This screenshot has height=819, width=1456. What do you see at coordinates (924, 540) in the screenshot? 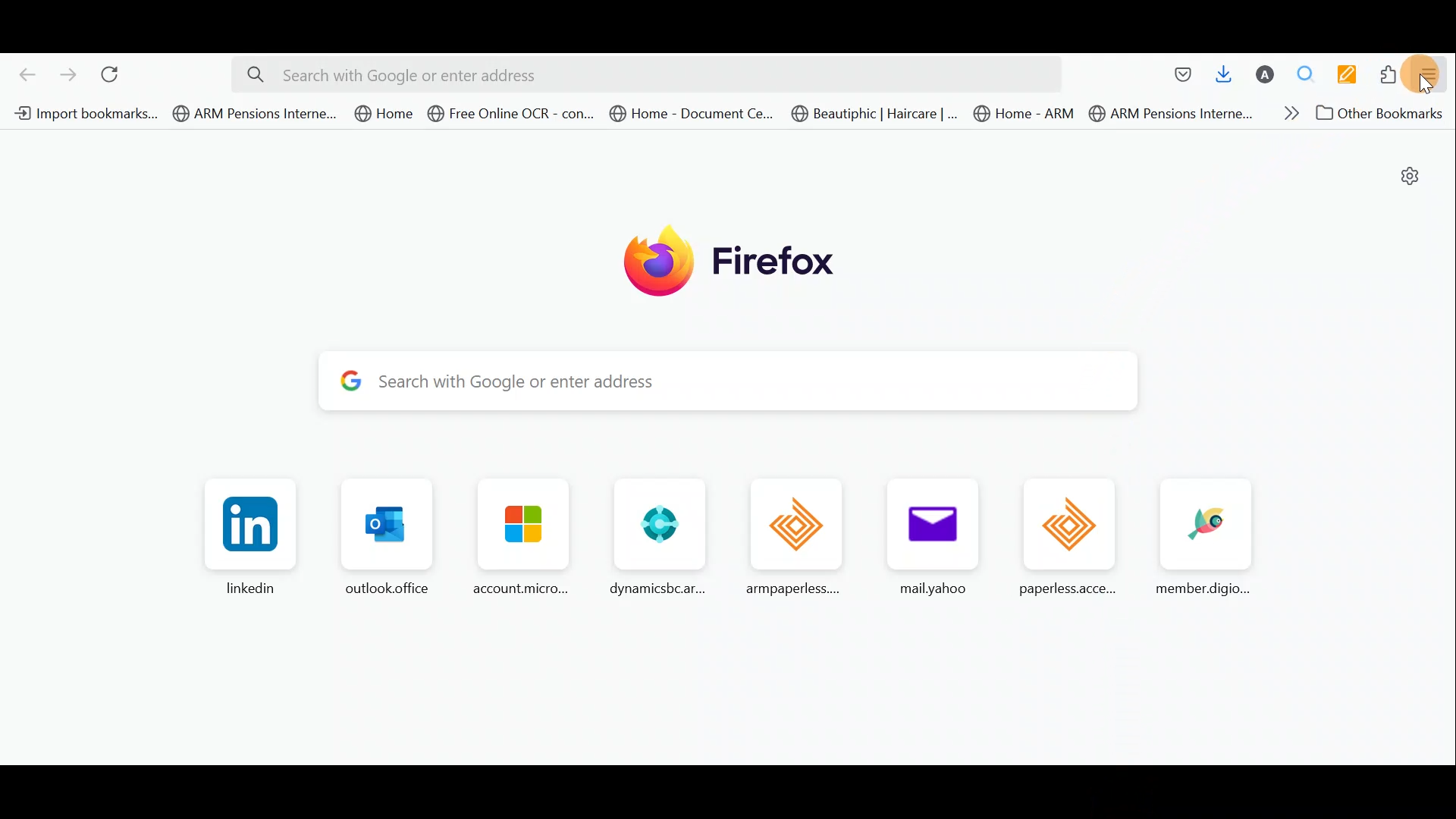
I see `mailyahoo` at bounding box center [924, 540].